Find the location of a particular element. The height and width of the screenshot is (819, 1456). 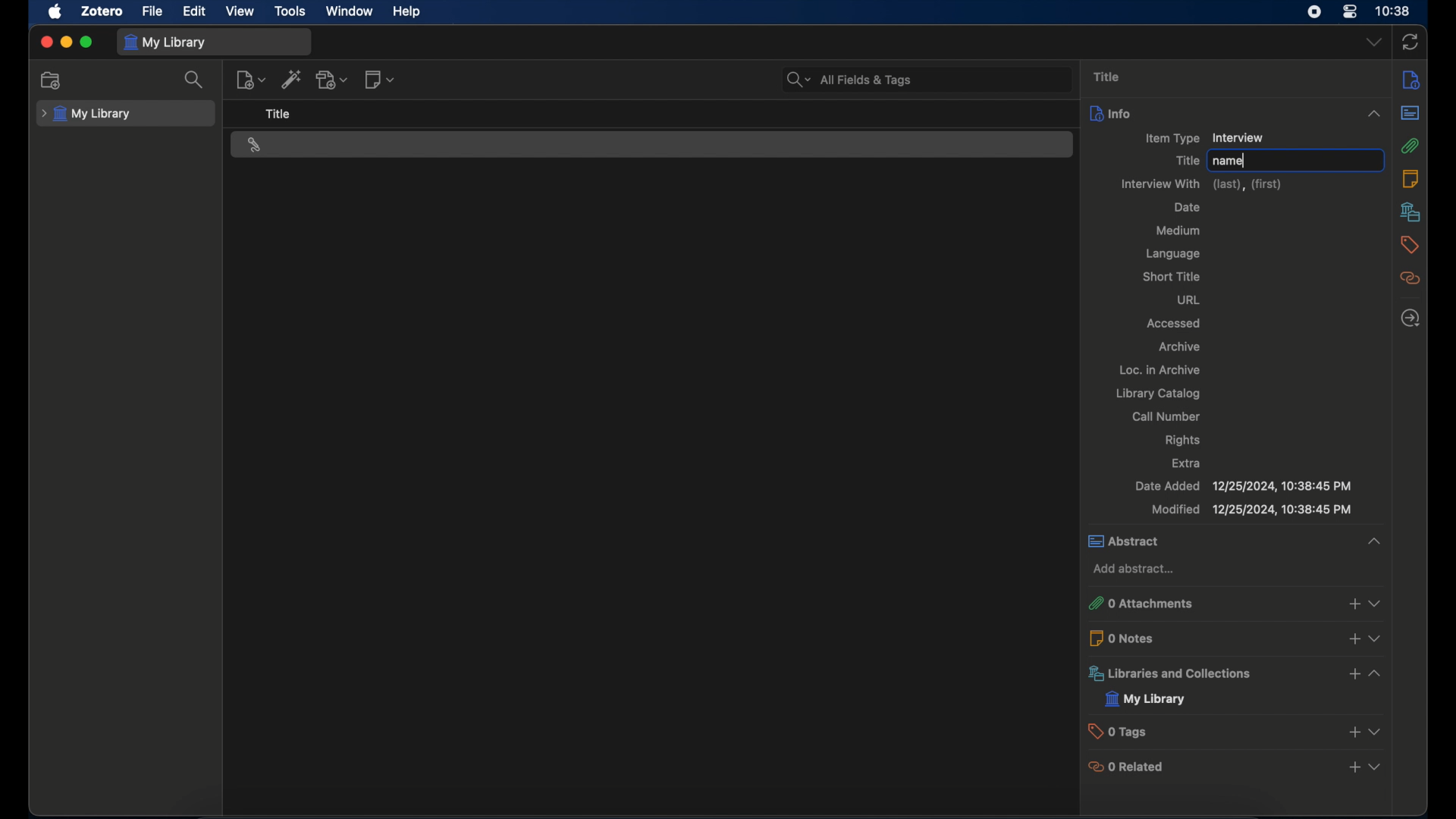

view is located at coordinates (1374, 731).